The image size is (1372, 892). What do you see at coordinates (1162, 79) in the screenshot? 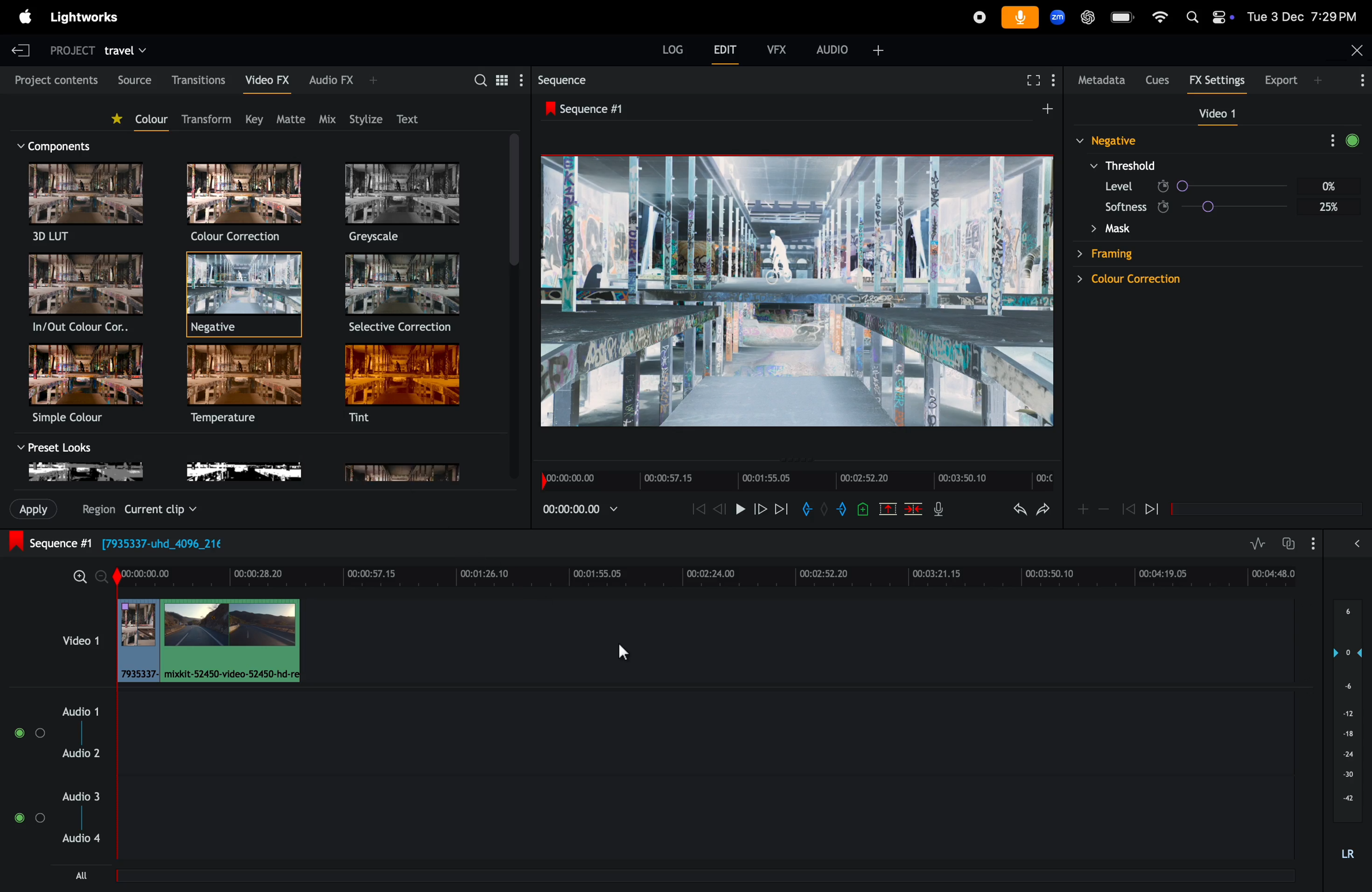
I see `cues` at bounding box center [1162, 79].